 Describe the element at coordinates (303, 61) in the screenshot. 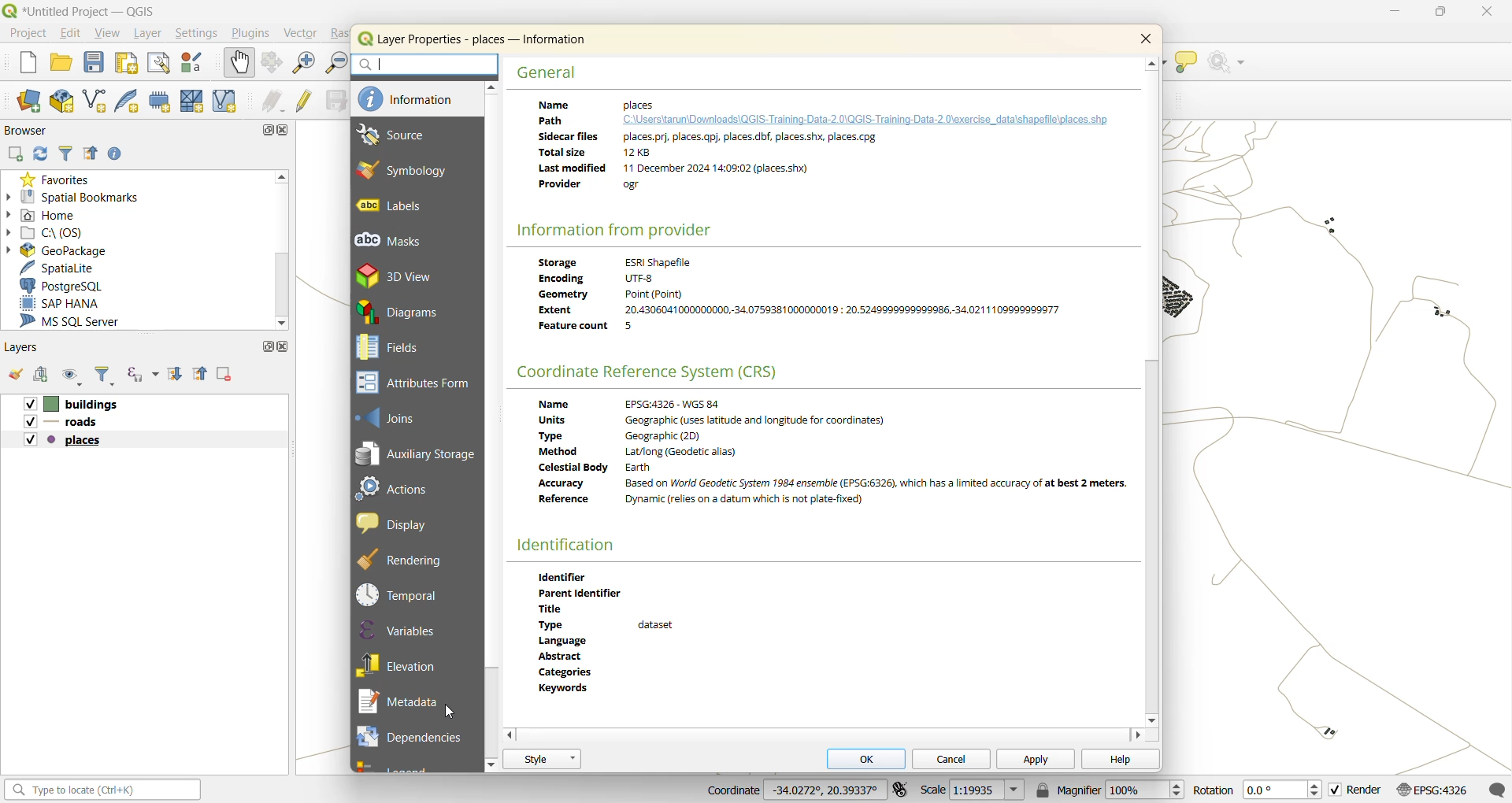

I see `zoom in` at that location.